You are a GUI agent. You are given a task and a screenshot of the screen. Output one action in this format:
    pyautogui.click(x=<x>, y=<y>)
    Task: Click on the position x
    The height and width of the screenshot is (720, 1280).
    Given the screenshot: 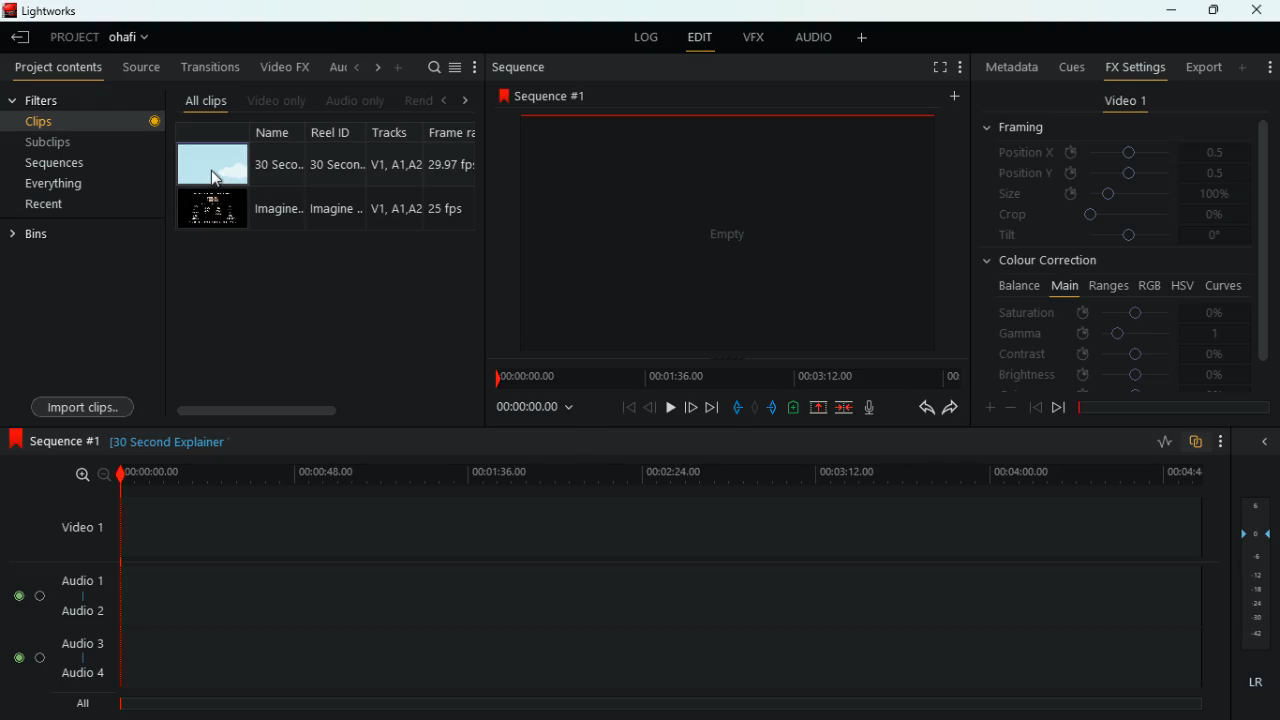 What is the action you would take?
    pyautogui.click(x=1116, y=152)
    